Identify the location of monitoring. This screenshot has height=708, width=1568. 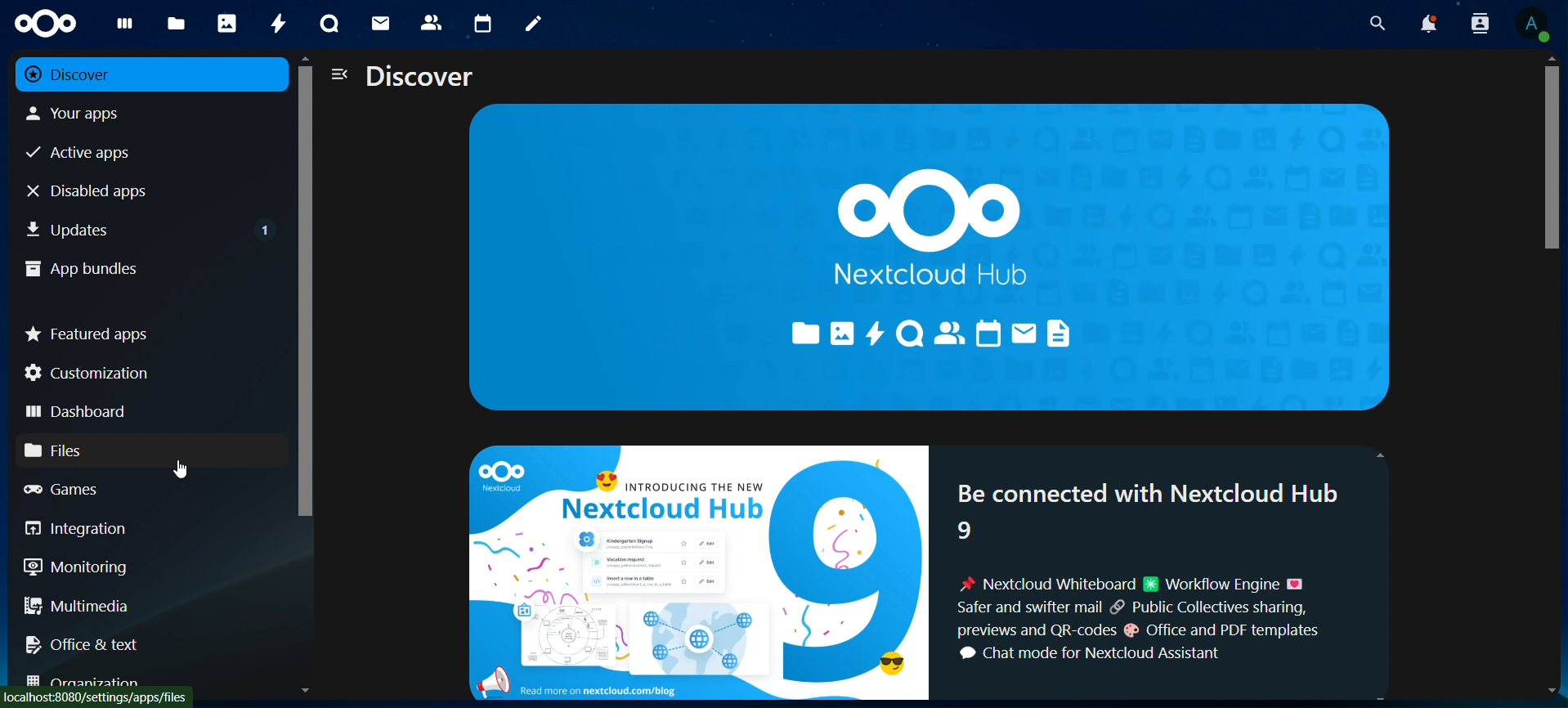
(77, 566).